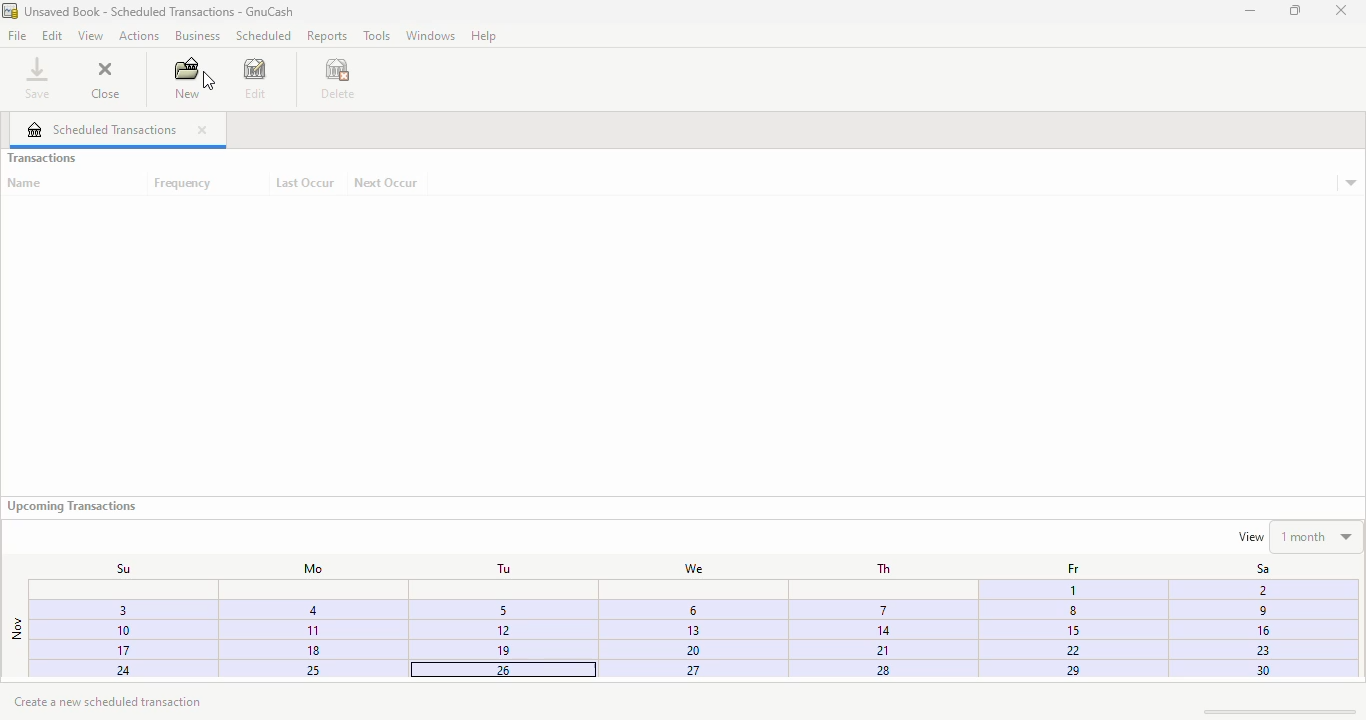 Image resolution: width=1366 pixels, height=720 pixels. What do you see at coordinates (693, 672) in the screenshot?
I see `27` at bounding box center [693, 672].